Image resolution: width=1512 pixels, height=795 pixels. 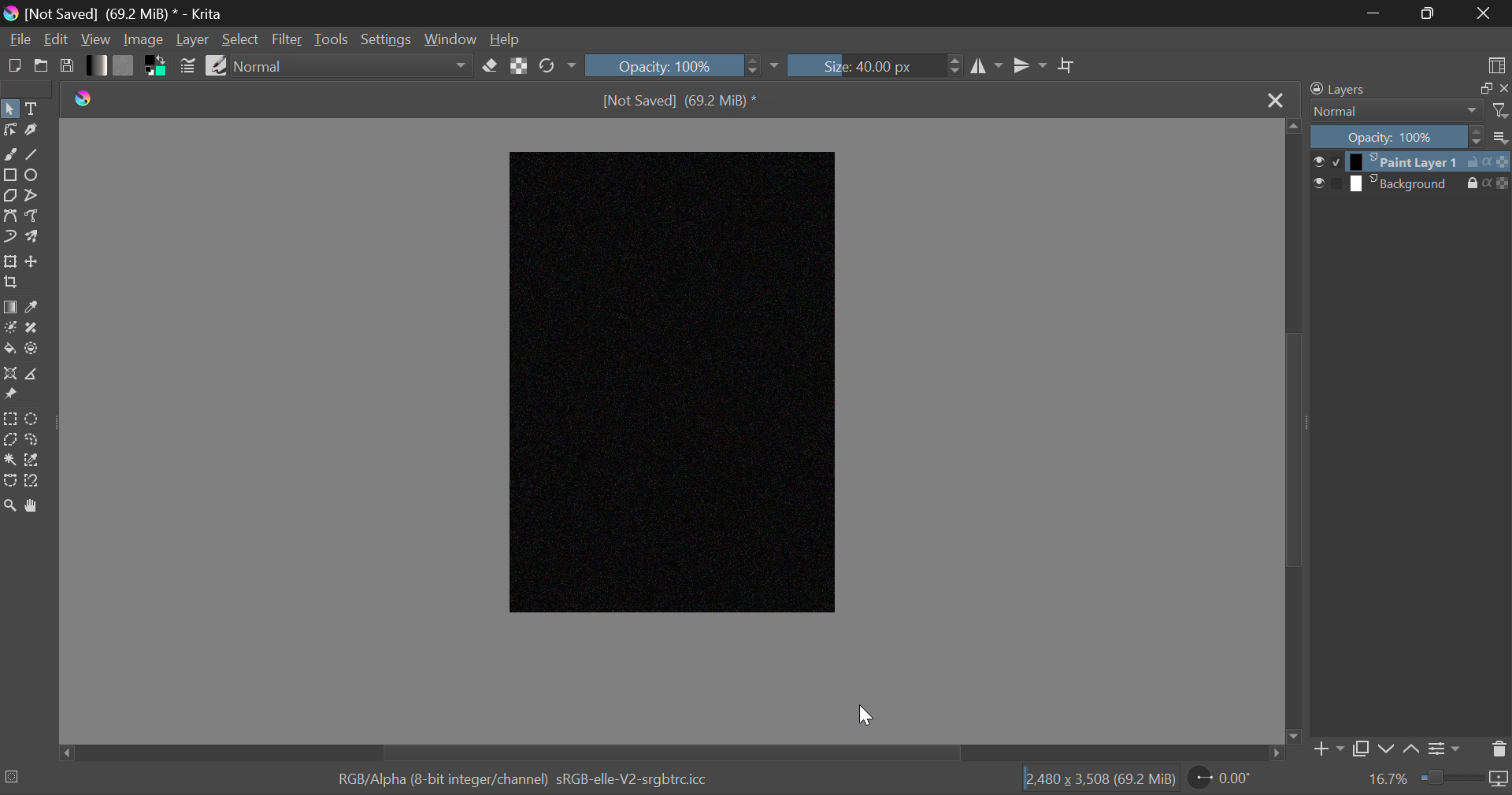 I want to click on Freehand Selection, so click(x=34, y=441).